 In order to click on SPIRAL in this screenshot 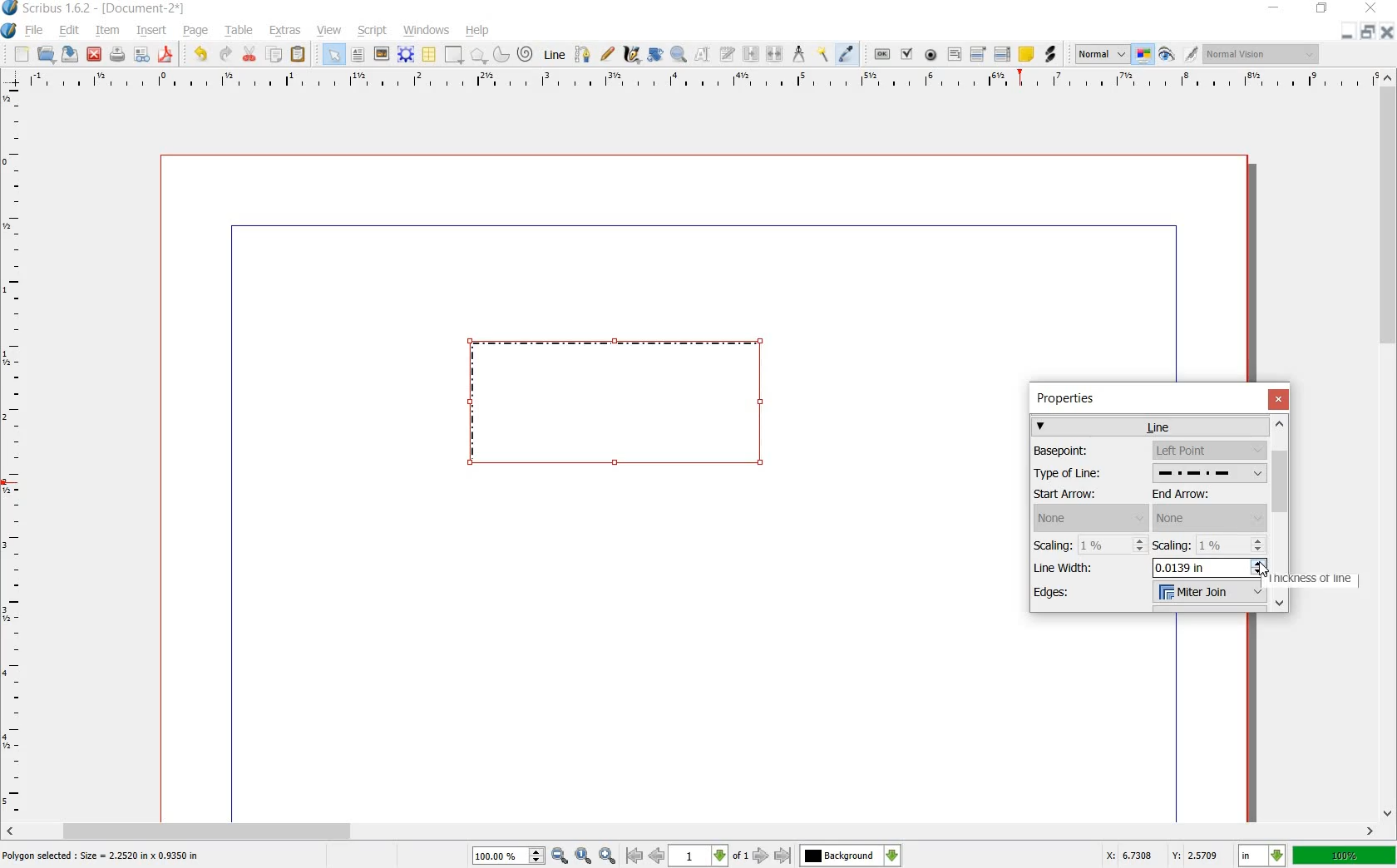, I will do `click(524, 55)`.